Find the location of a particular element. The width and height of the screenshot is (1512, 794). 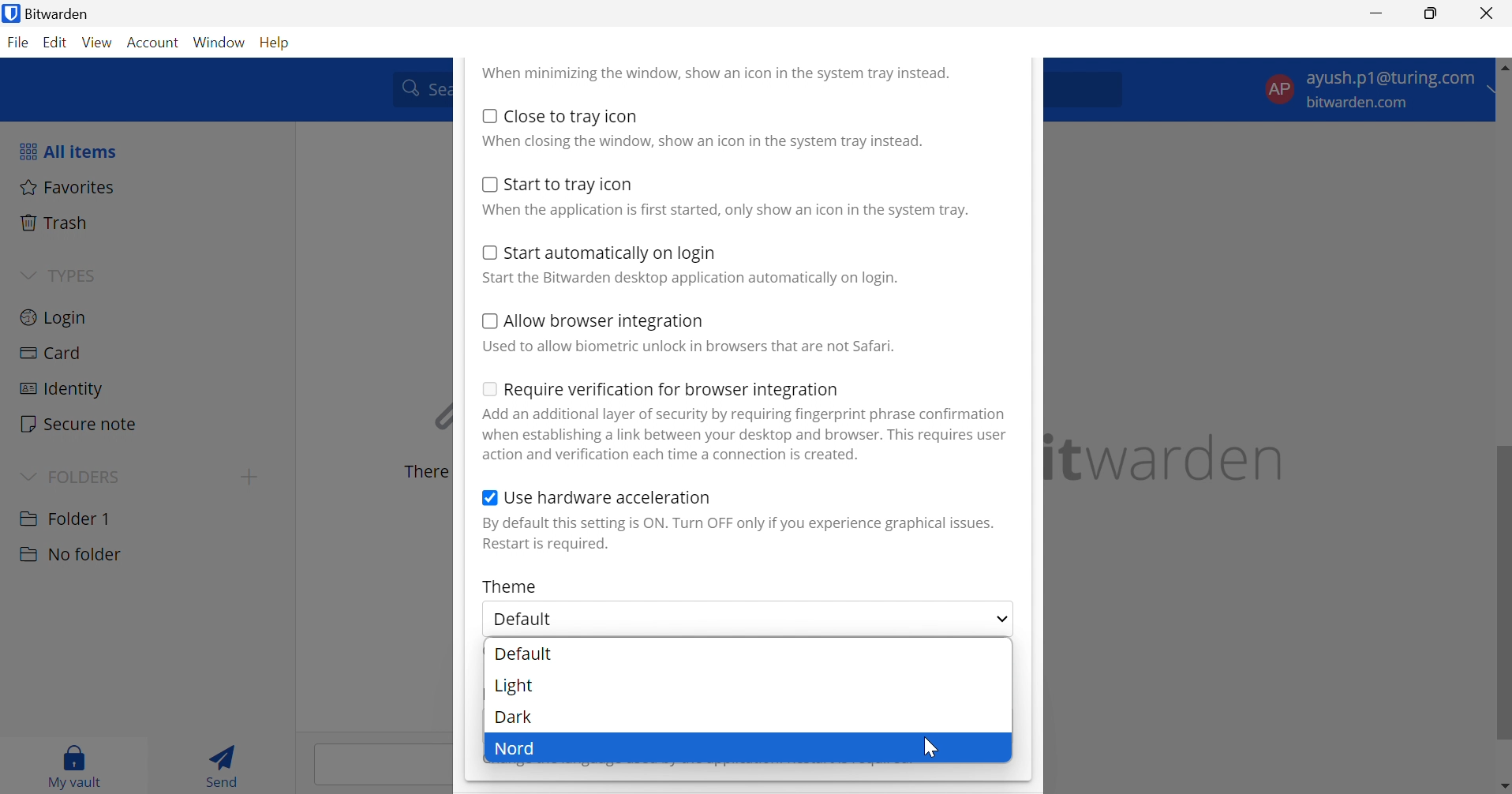

Drop Down is located at coordinates (27, 474).